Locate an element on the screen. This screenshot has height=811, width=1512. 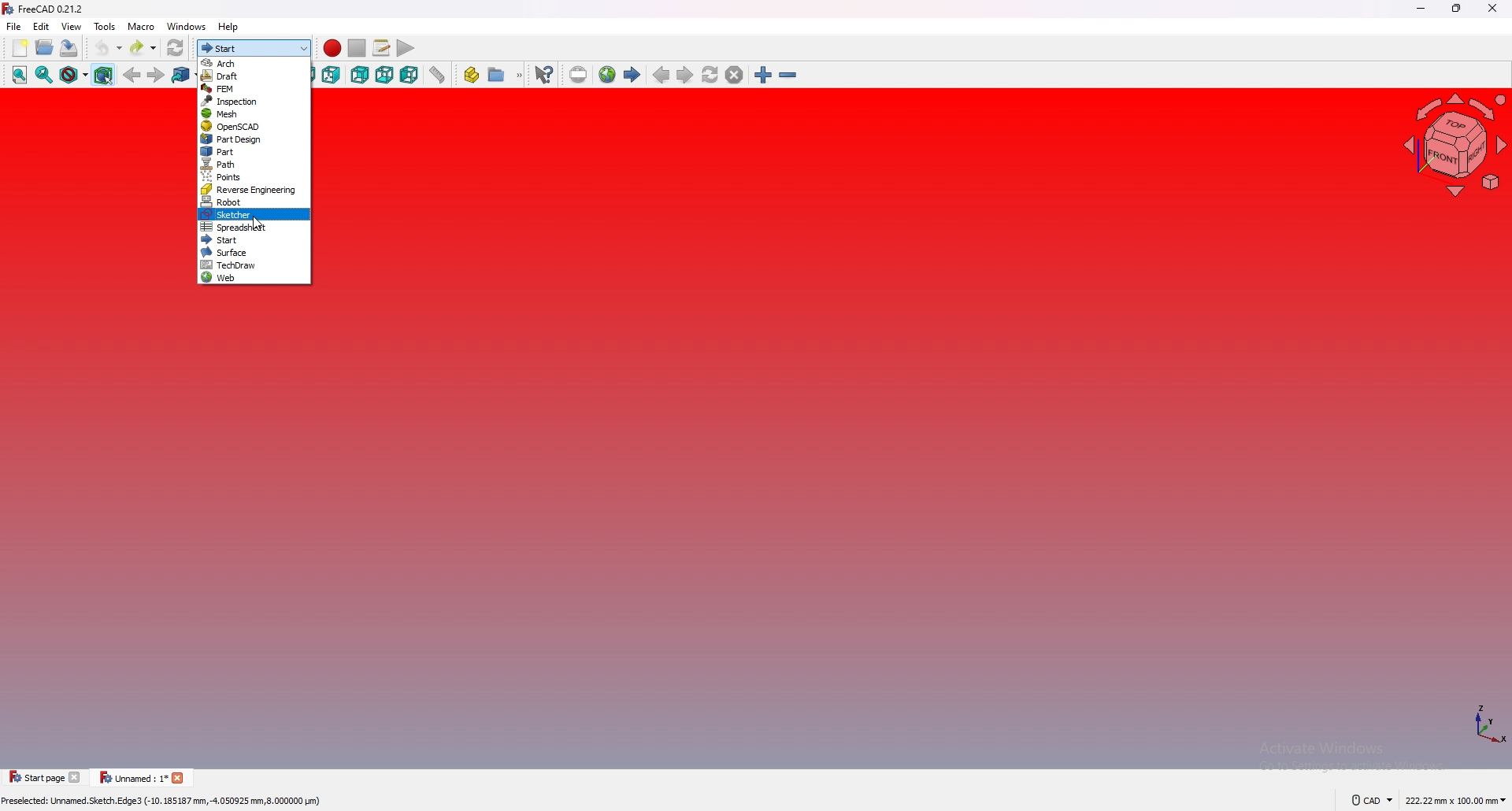
edit is located at coordinates (41, 26).